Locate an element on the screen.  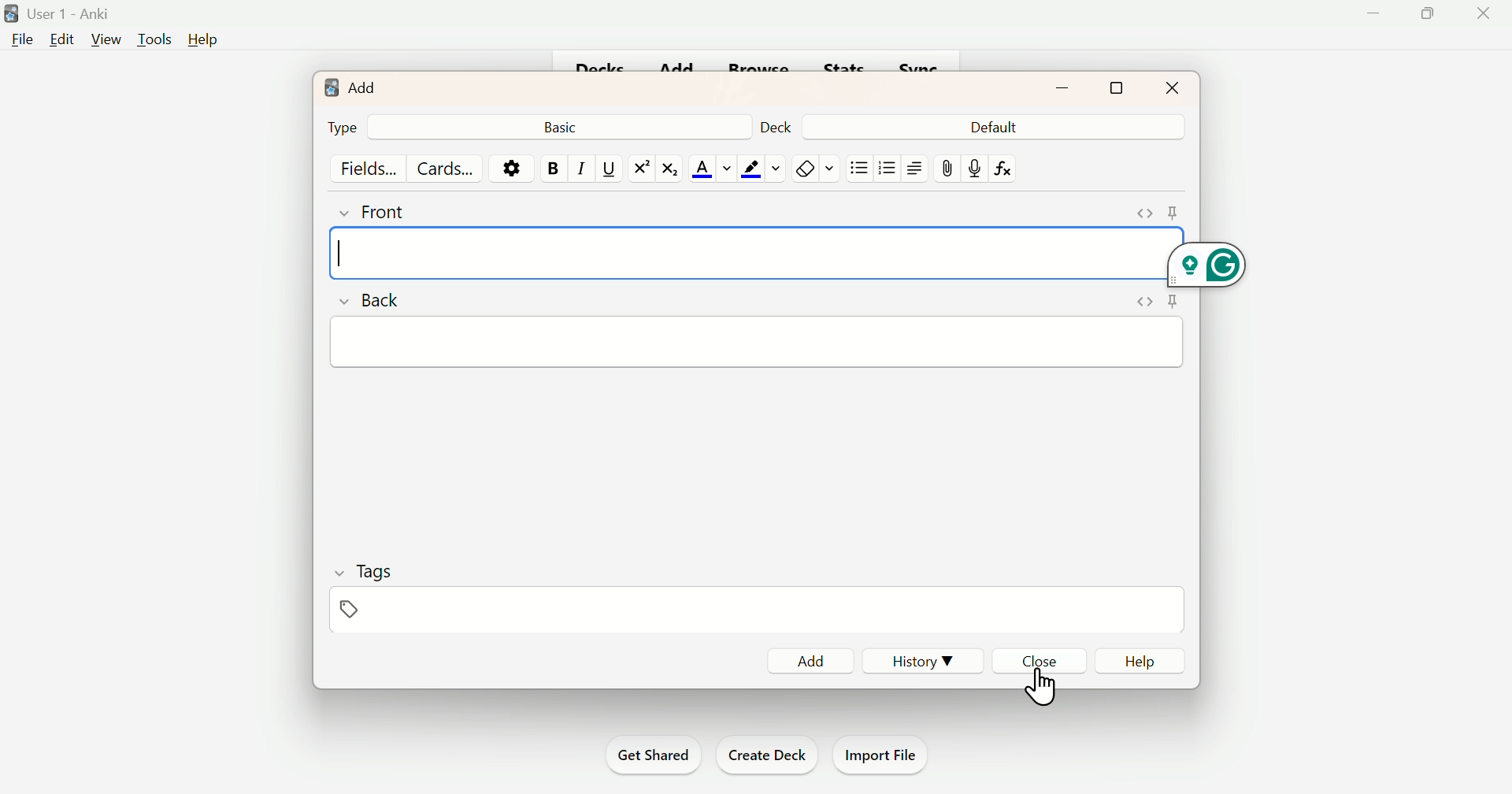
Right side is located at coordinates (914, 168).